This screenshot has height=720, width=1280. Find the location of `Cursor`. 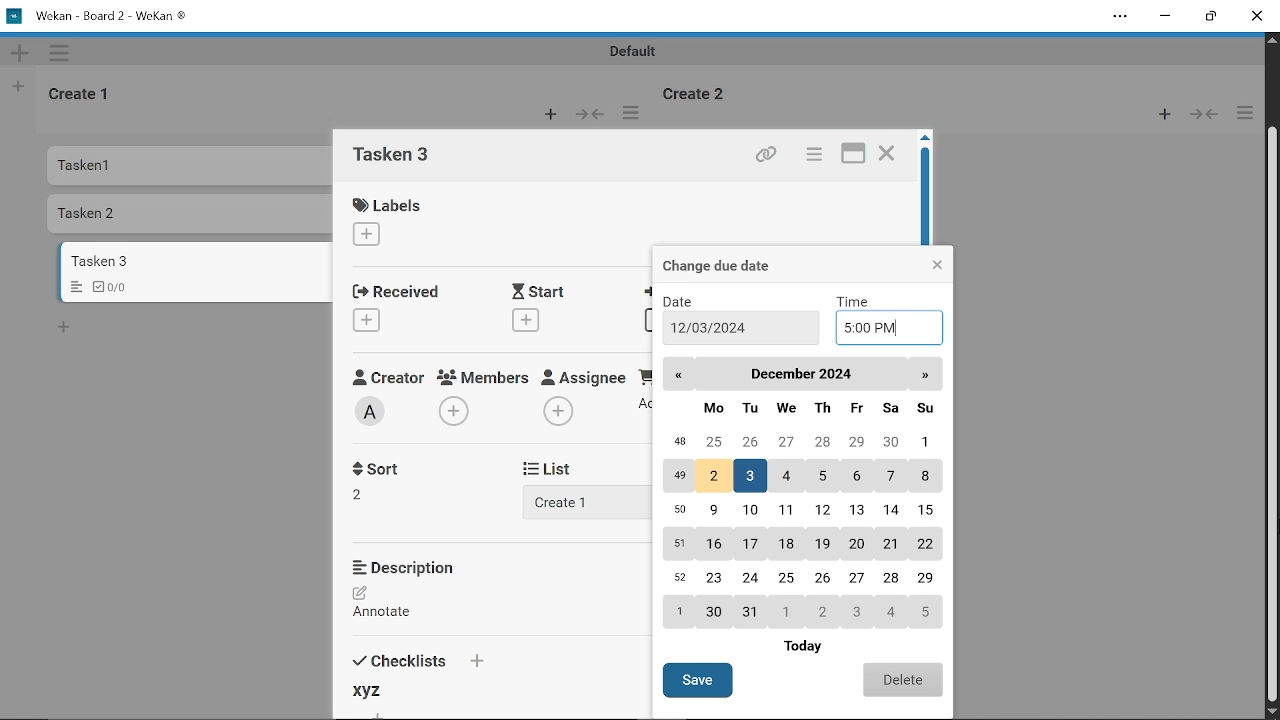

Cursor is located at coordinates (1272, 429).